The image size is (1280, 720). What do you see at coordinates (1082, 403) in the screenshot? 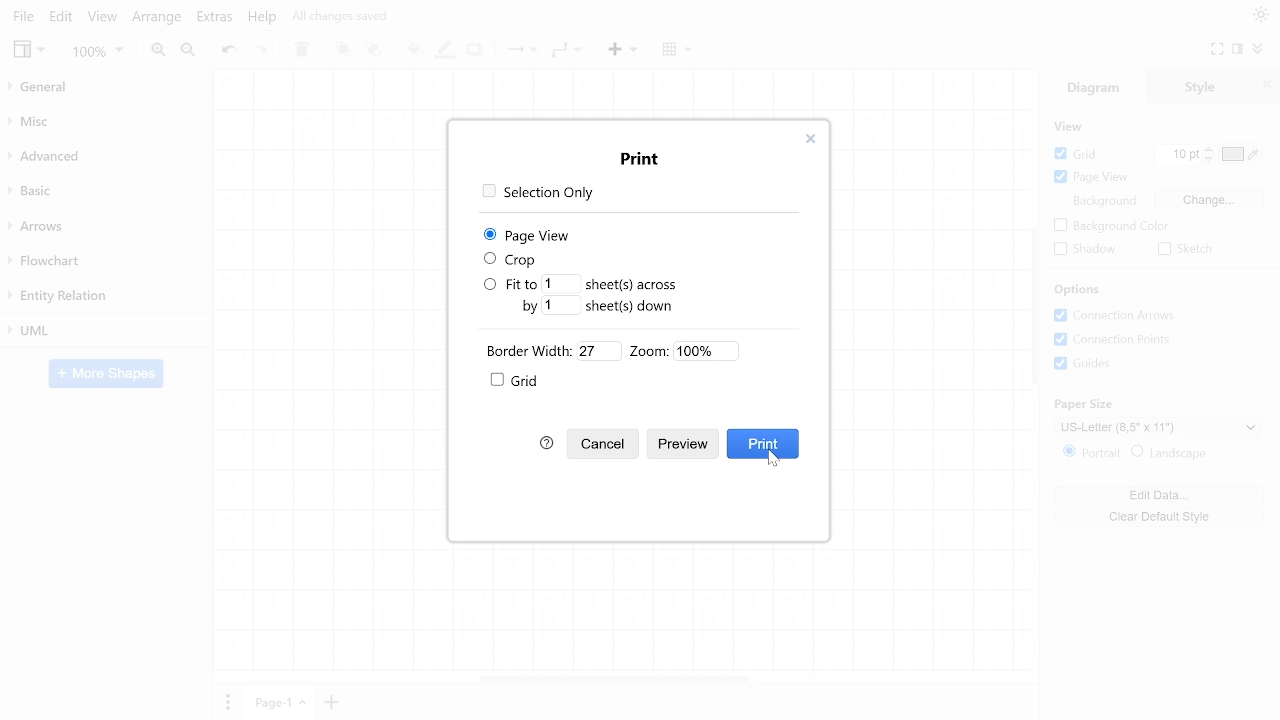
I see `paper size` at bounding box center [1082, 403].